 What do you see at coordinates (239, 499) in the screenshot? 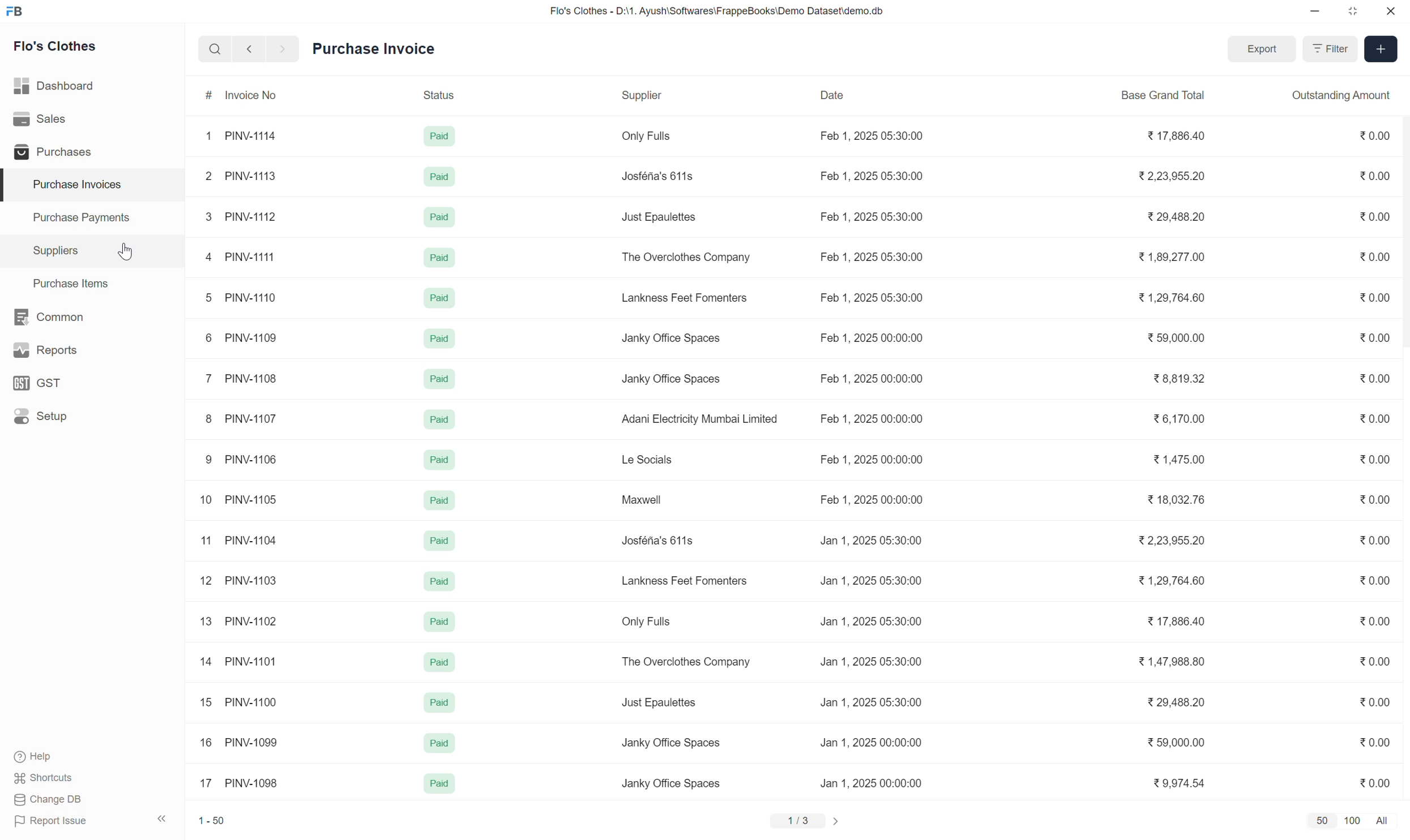
I see `10 PINV-1105` at bounding box center [239, 499].